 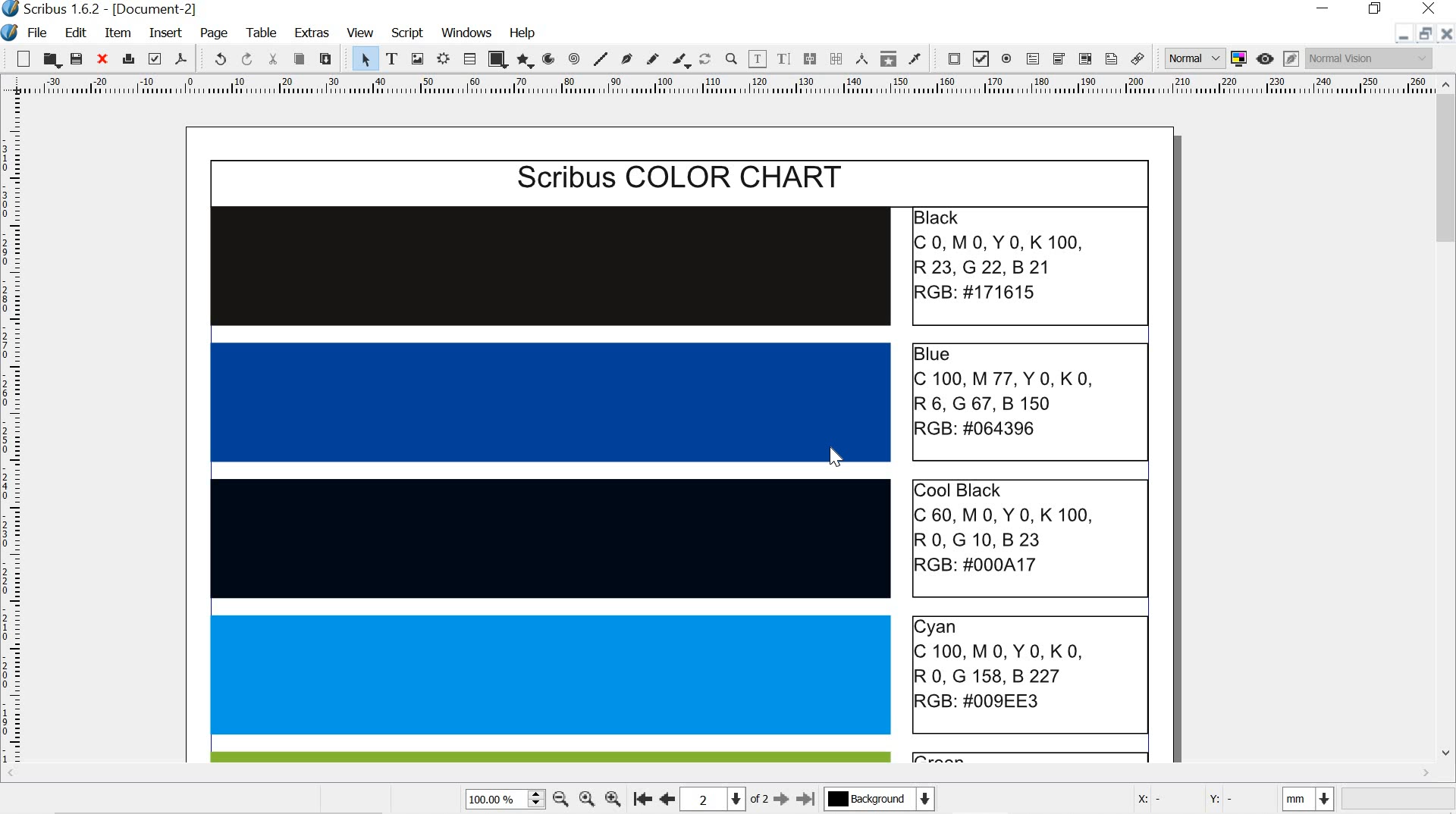 I want to click on Black, so click(x=553, y=266).